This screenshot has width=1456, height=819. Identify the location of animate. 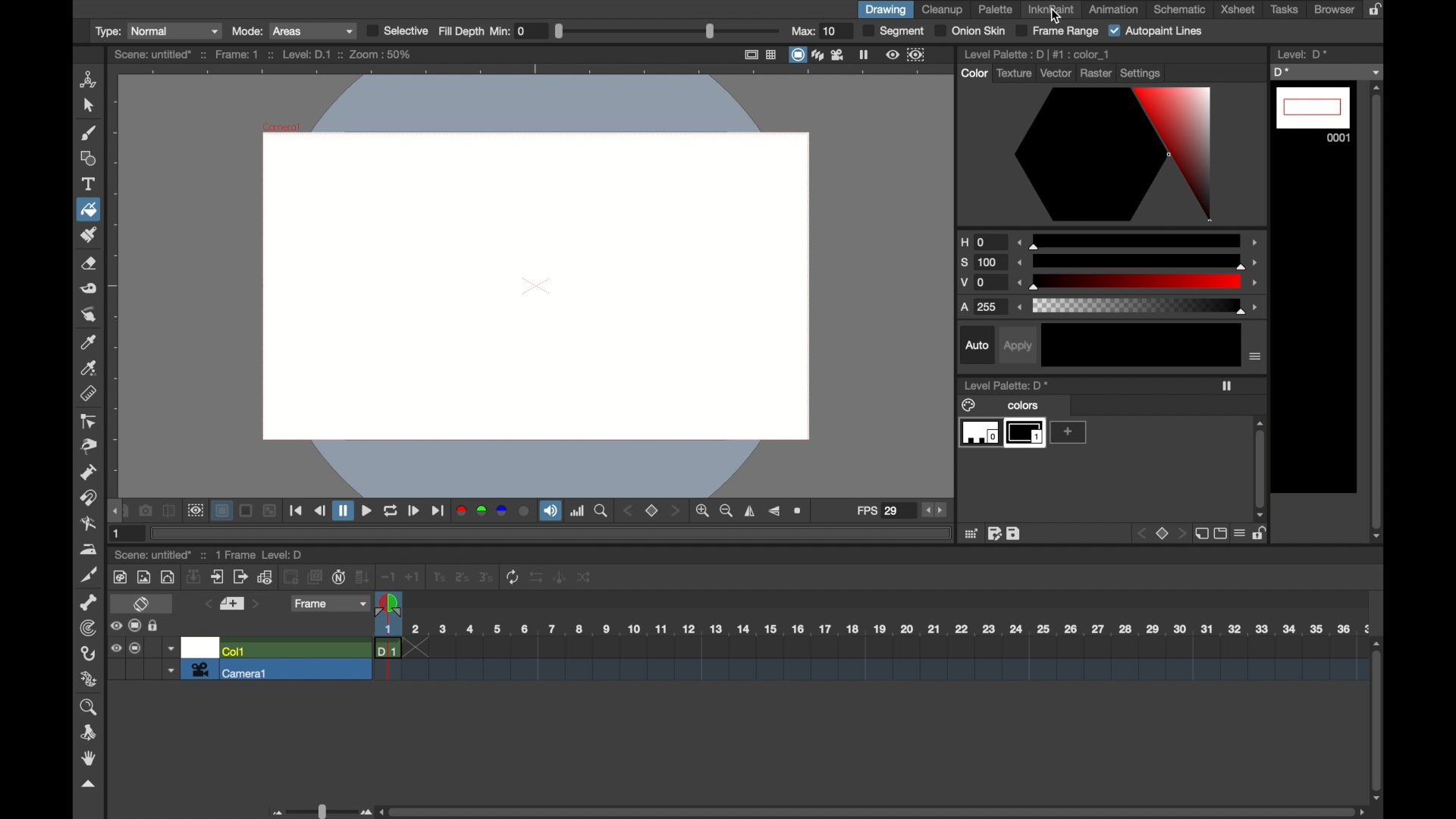
(561, 577).